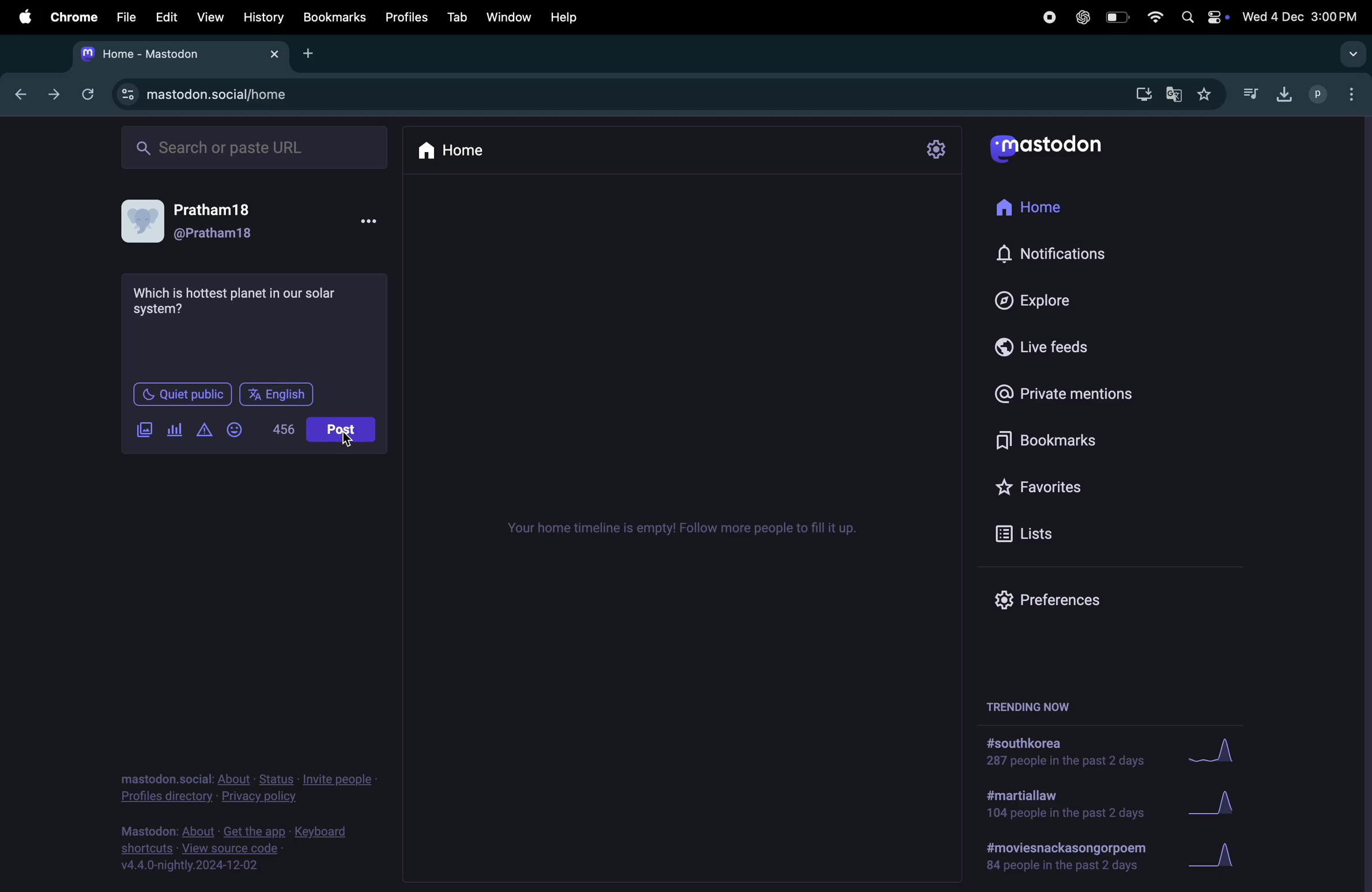 The image size is (1372, 892). I want to click on book mark, so click(334, 17).